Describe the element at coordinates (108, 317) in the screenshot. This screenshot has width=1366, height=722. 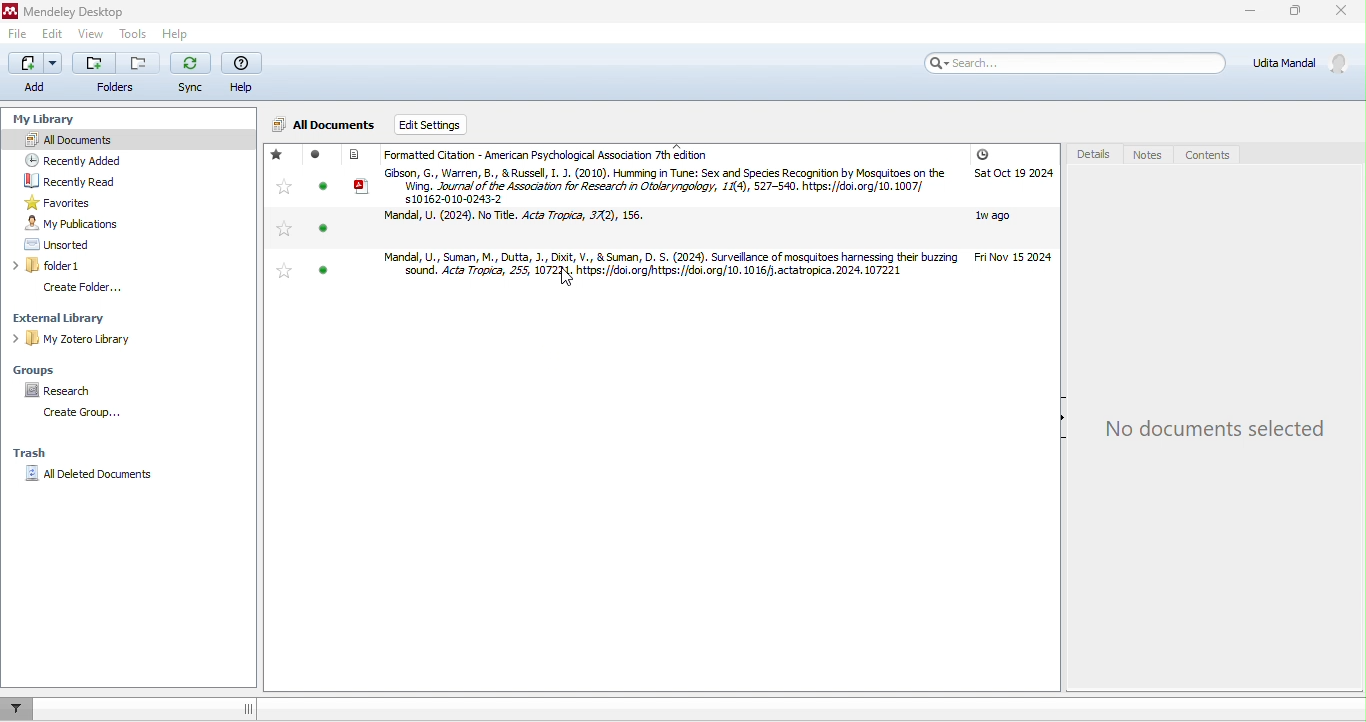
I see `external library` at that location.